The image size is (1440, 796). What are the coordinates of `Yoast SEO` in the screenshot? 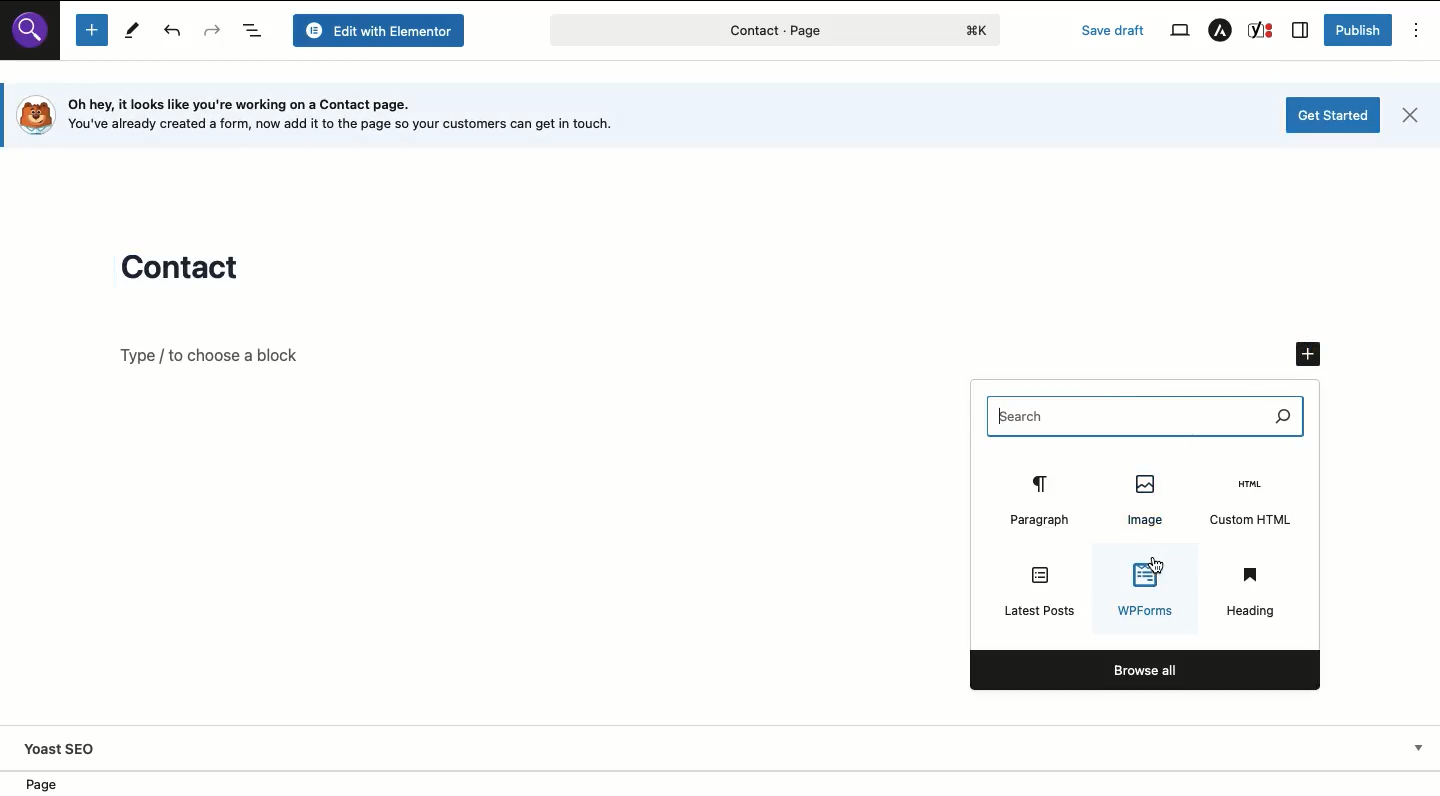 It's located at (63, 748).